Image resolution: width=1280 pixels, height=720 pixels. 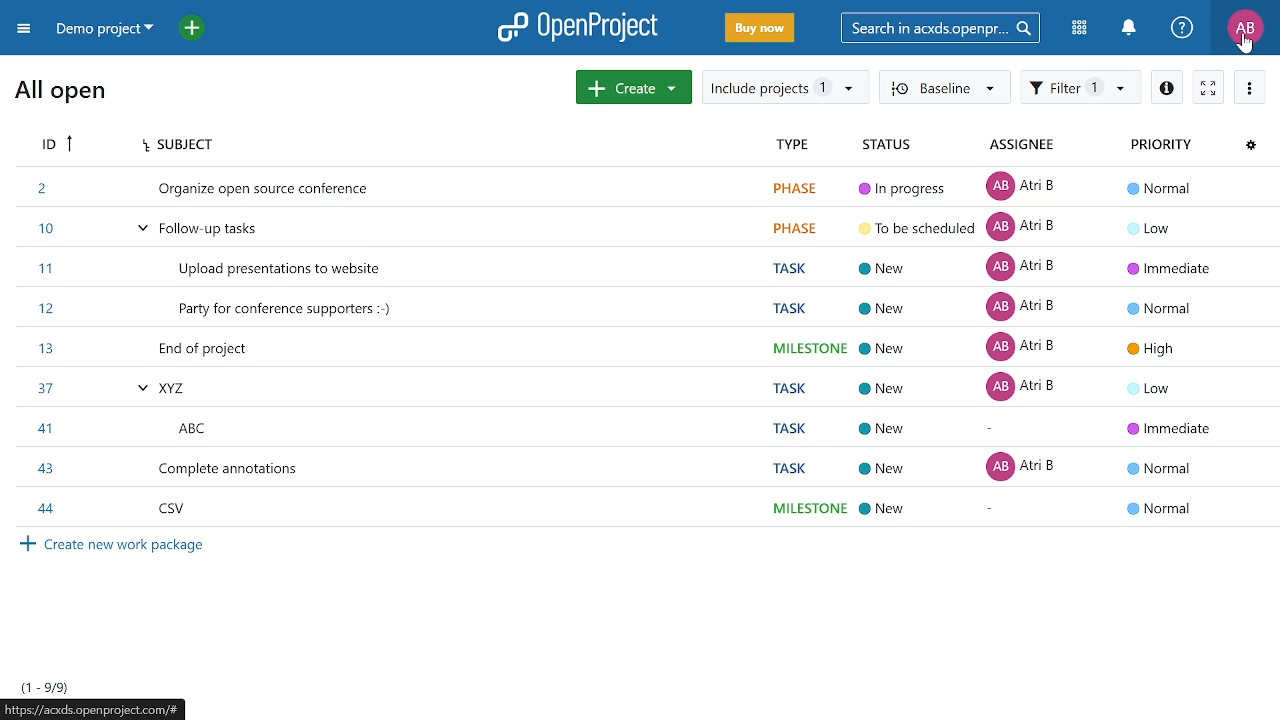 I want to click on task priority, so click(x=1163, y=349).